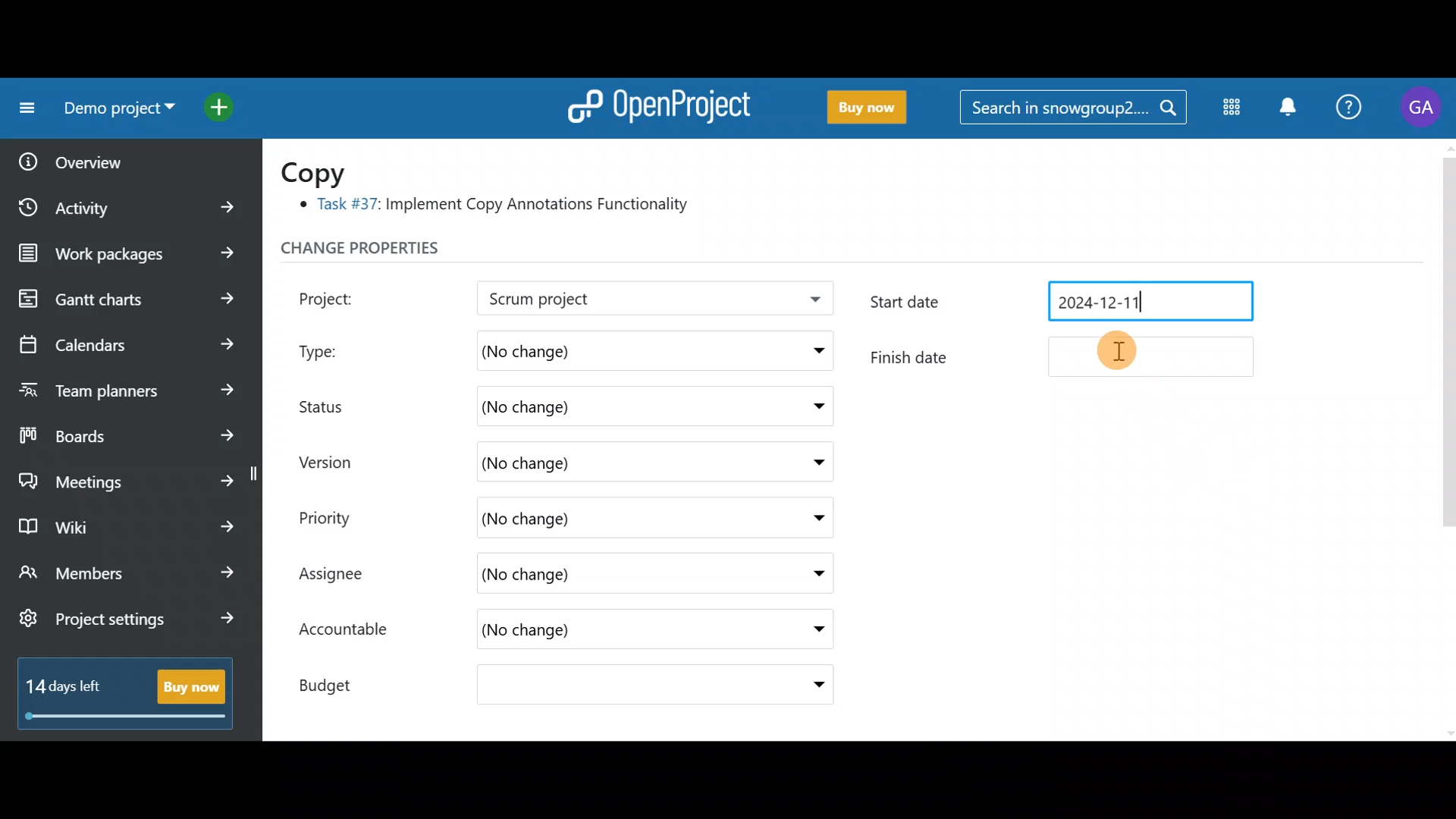 The image size is (1456, 819). Describe the element at coordinates (335, 347) in the screenshot. I see `Type` at that location.